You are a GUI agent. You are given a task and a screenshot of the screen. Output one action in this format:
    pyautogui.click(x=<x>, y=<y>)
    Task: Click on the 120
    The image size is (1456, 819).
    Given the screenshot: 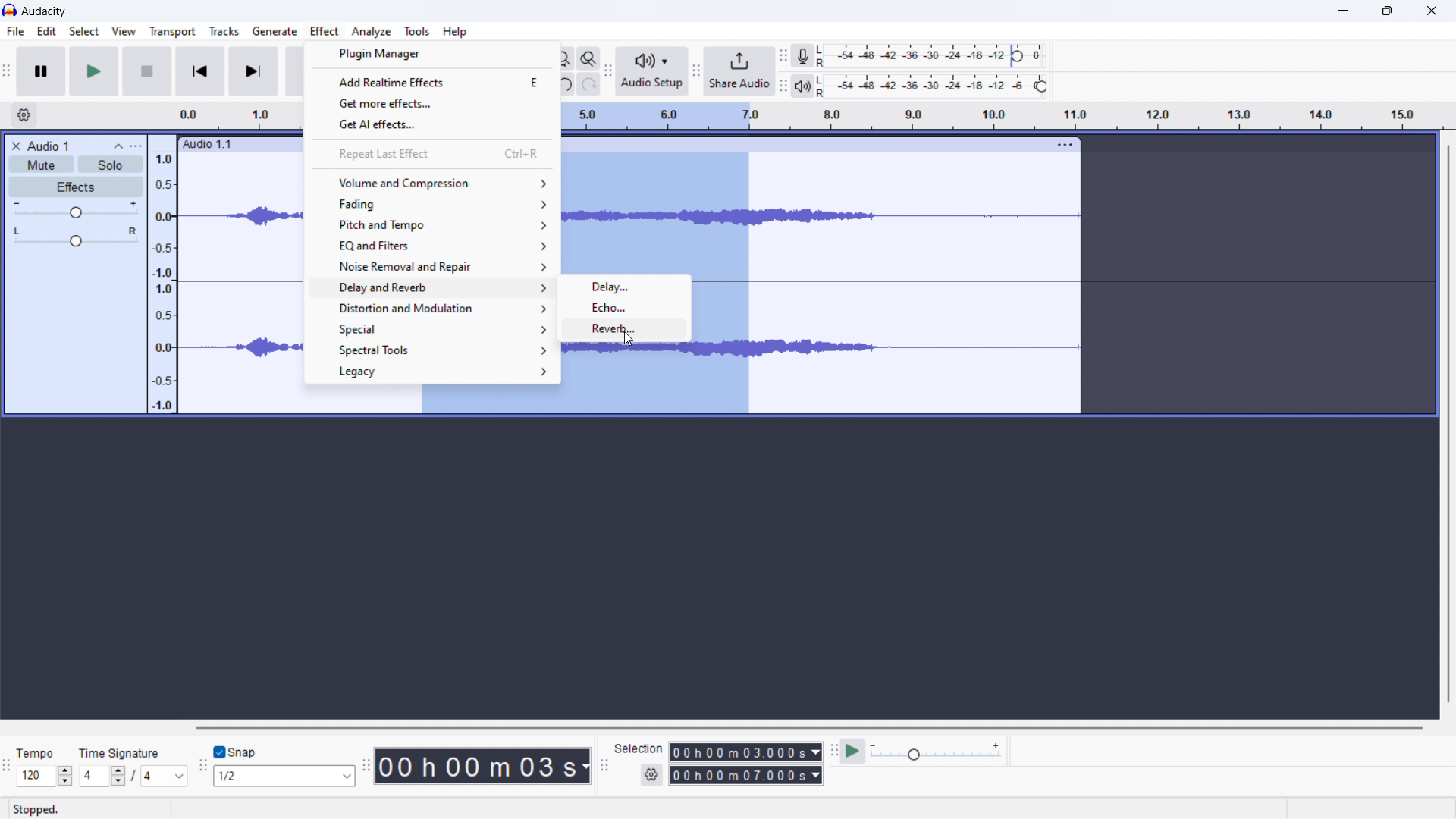 What is the action you would take?
    pyautogui.click(x=45, y=776)
    